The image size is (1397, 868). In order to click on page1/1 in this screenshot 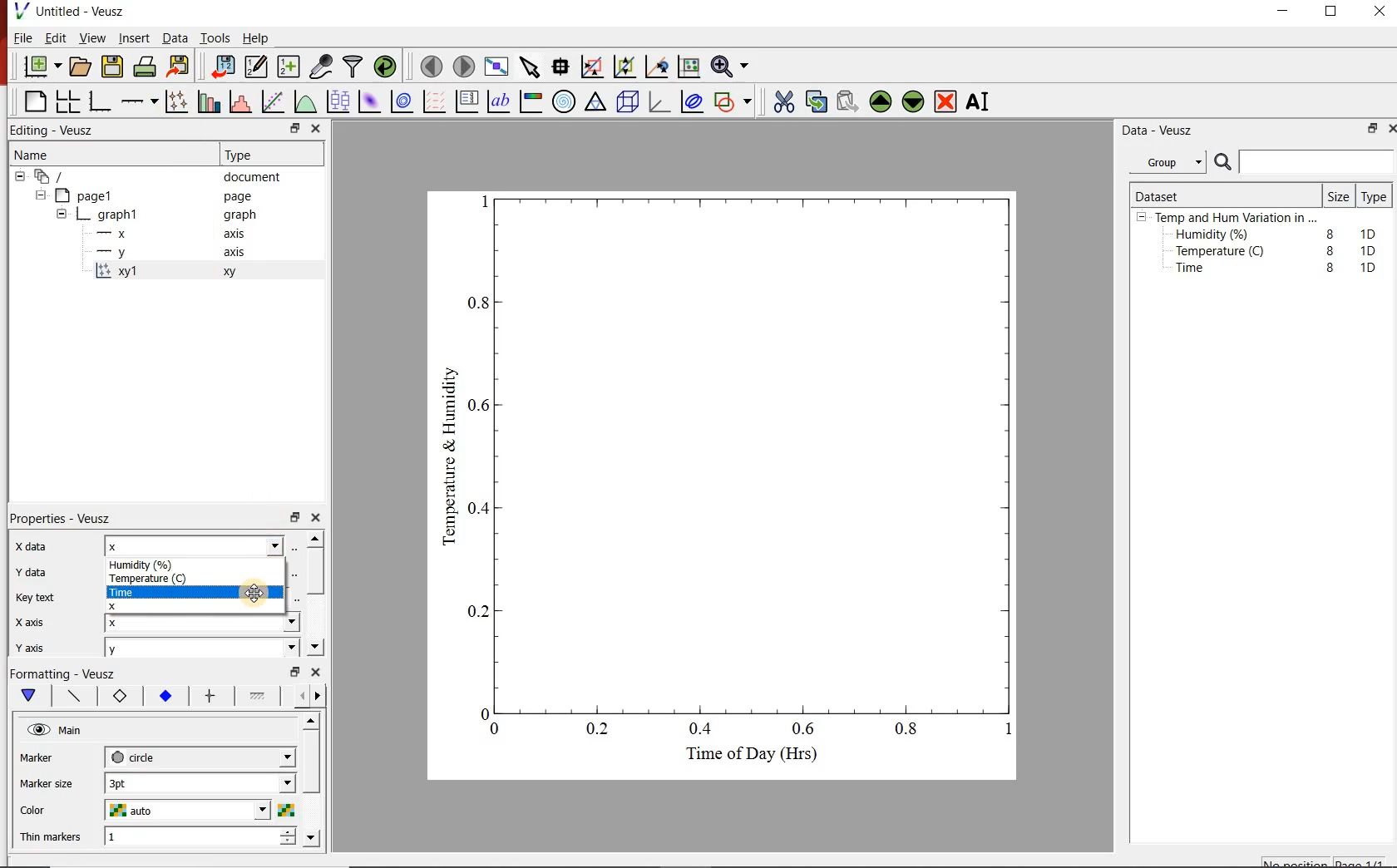, I will do `click(1365, 861)`.